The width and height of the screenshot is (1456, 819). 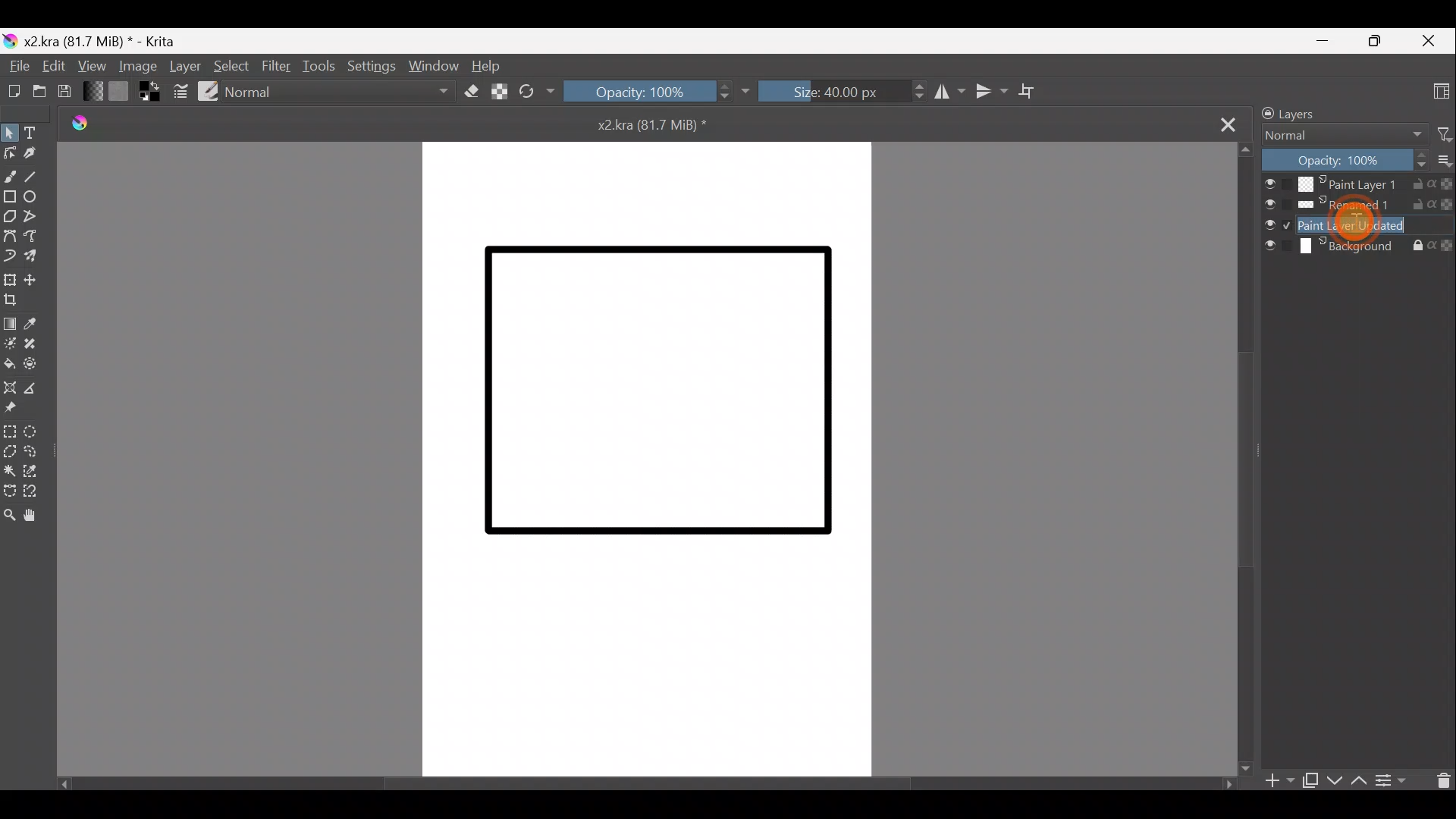 I want to click on Polygon tool, so click(x=11, y=216).